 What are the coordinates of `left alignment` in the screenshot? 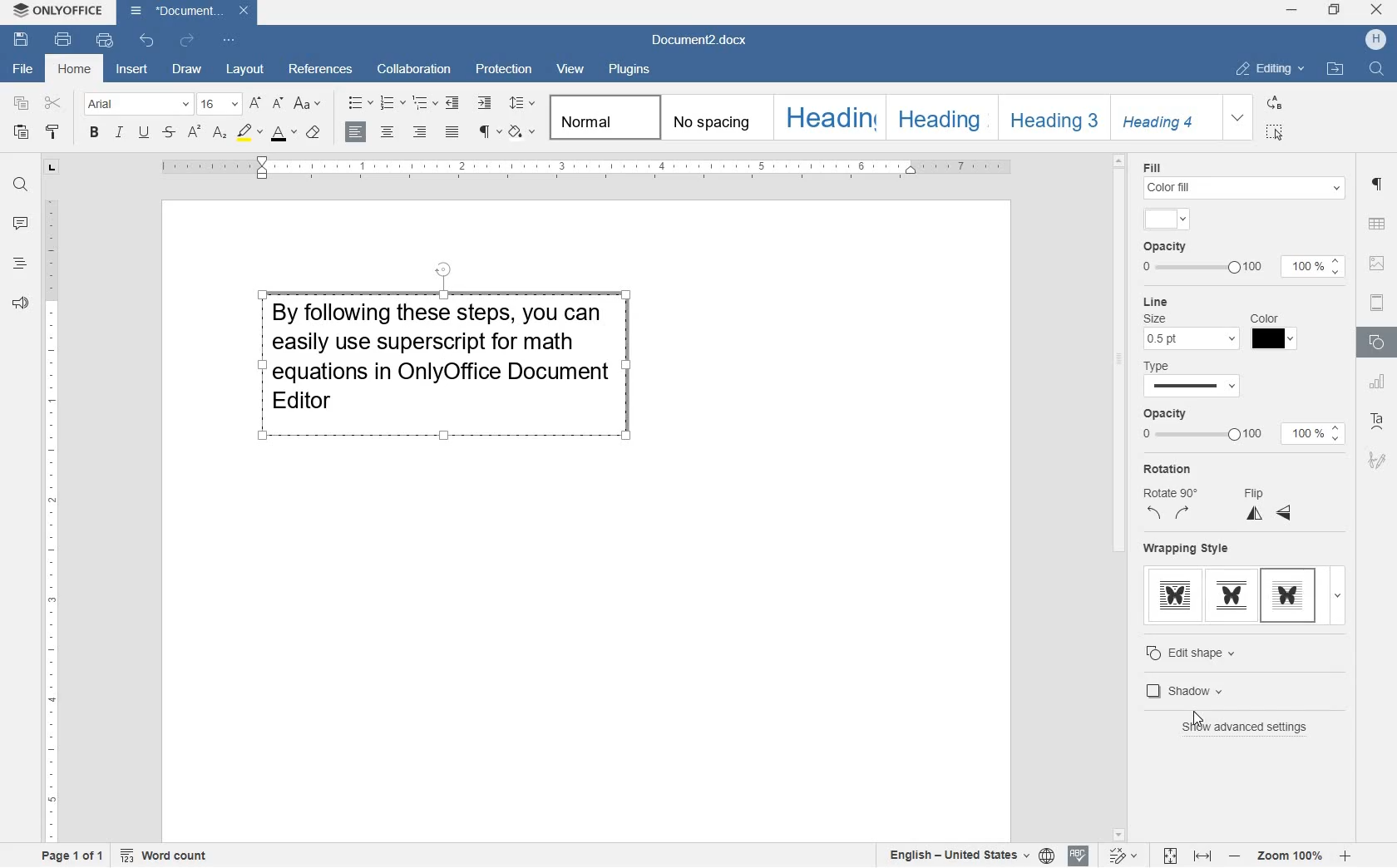 It's located at (353, 133).